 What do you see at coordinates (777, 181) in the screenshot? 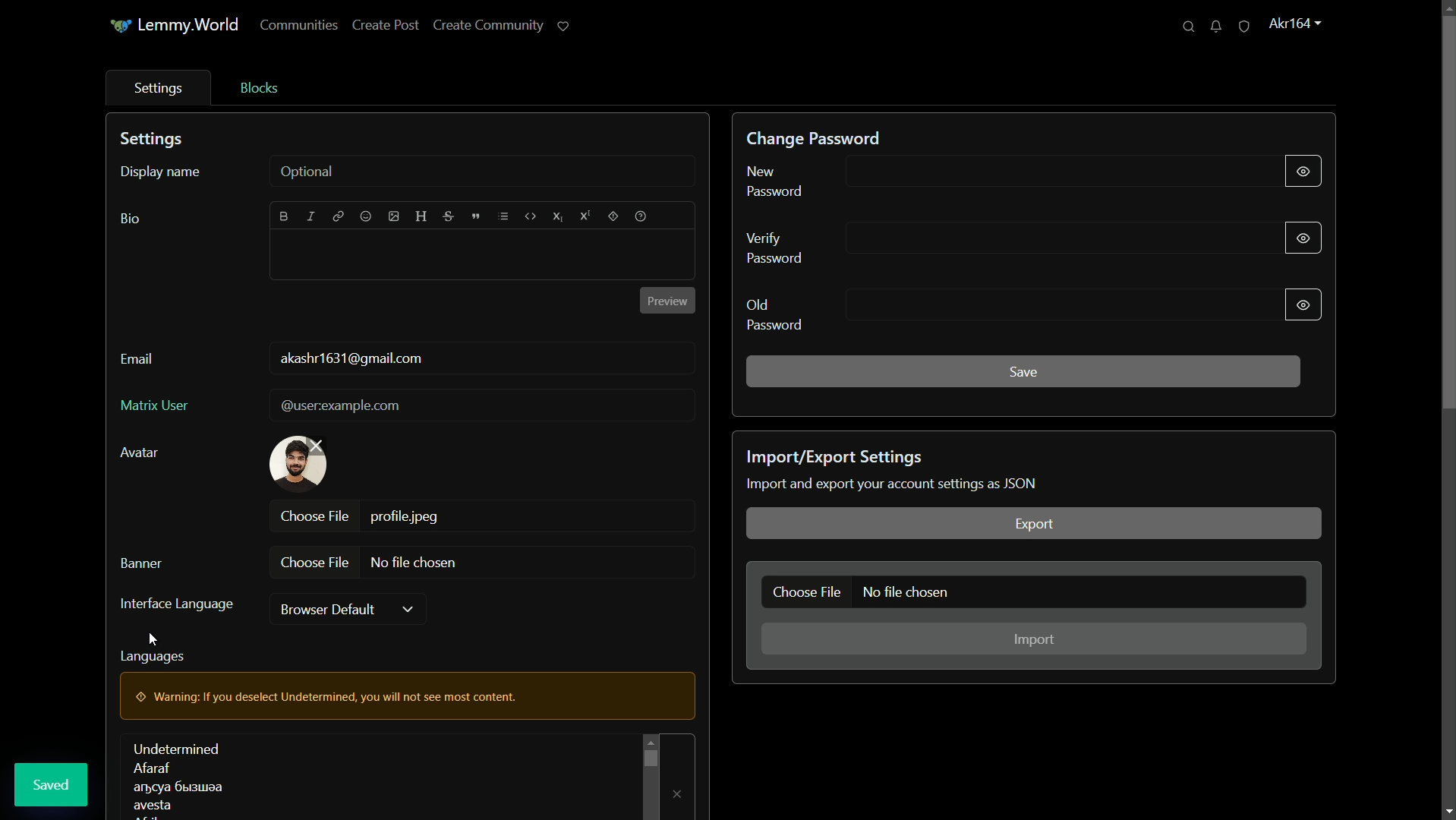
I see `new password` at bounding box center [777, 181].